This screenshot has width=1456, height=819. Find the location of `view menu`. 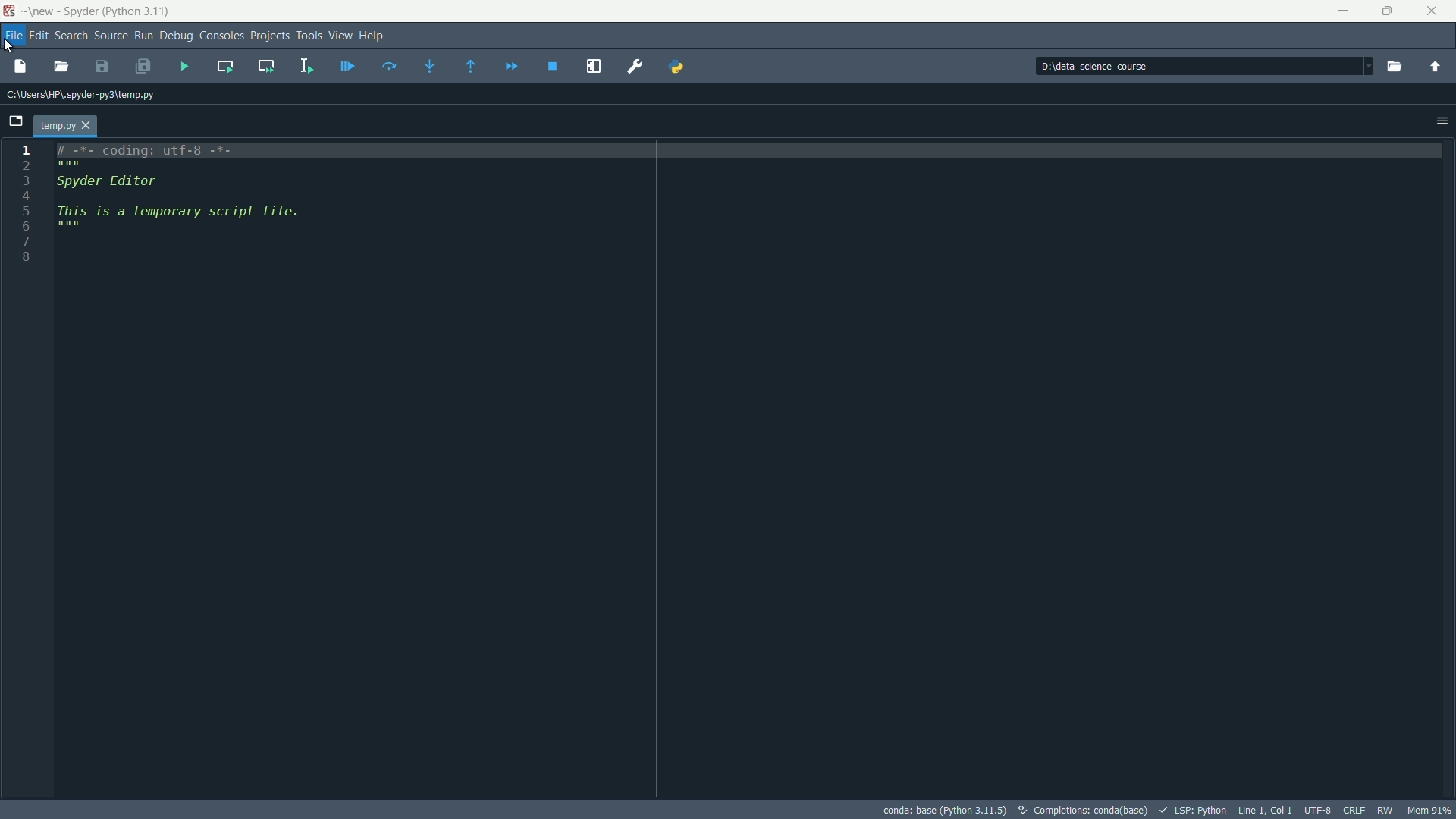

view menu is located at coordinates (340, 35).